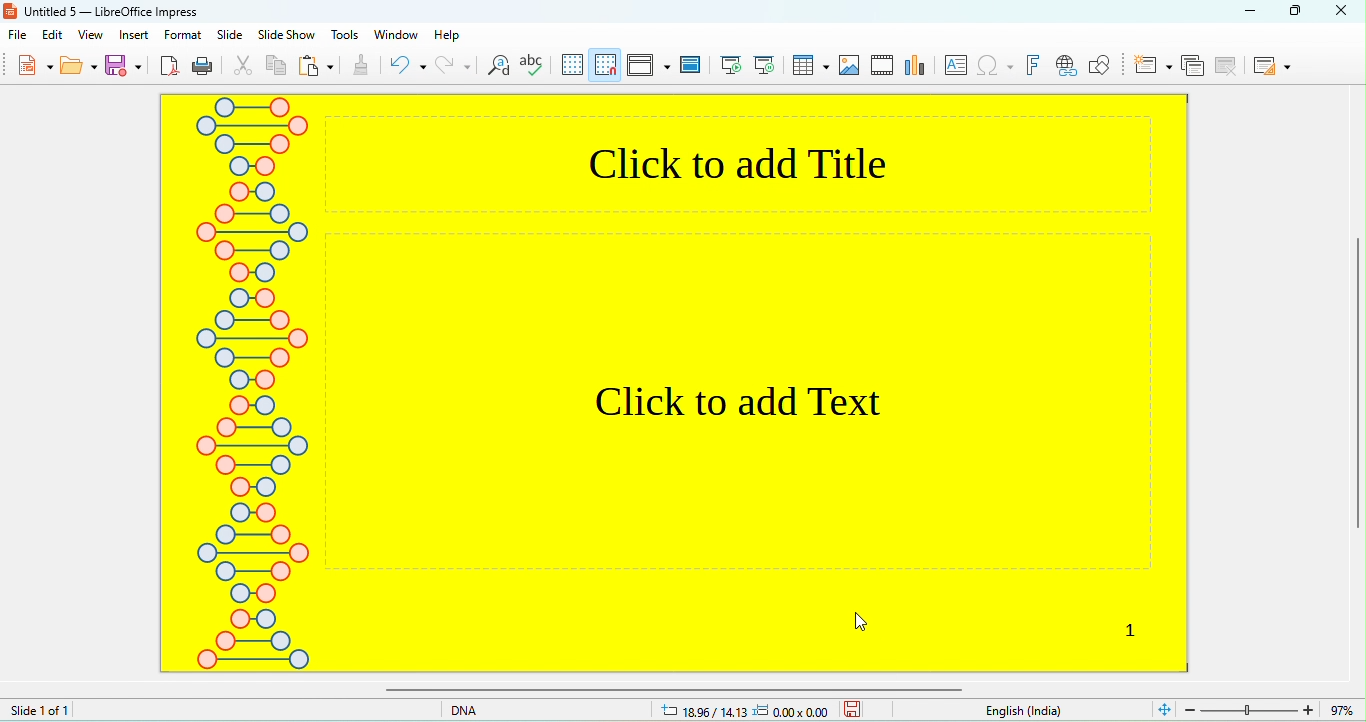 This screenshot has height=722, width=1366. I want to click on horizontal scroll bar, so click(668, 689).